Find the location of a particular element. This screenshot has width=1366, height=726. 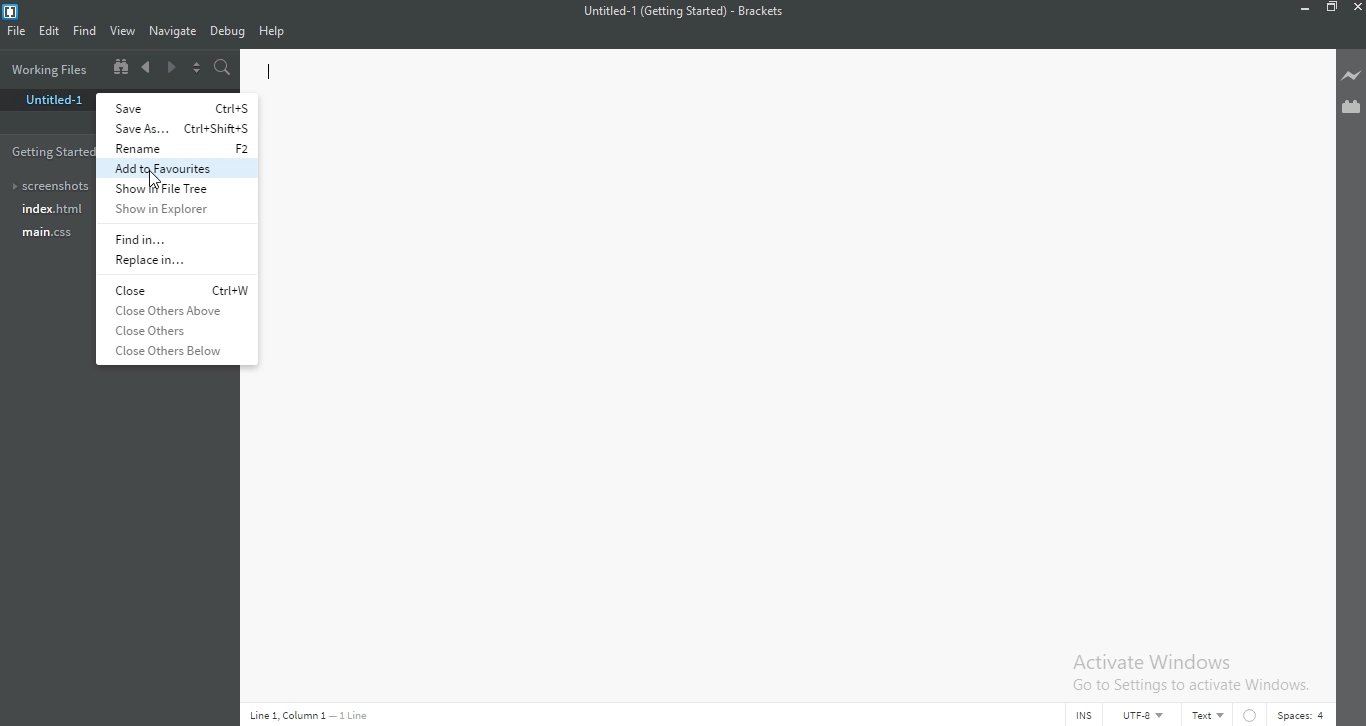

Previous document is located at coordinates (149, 69).